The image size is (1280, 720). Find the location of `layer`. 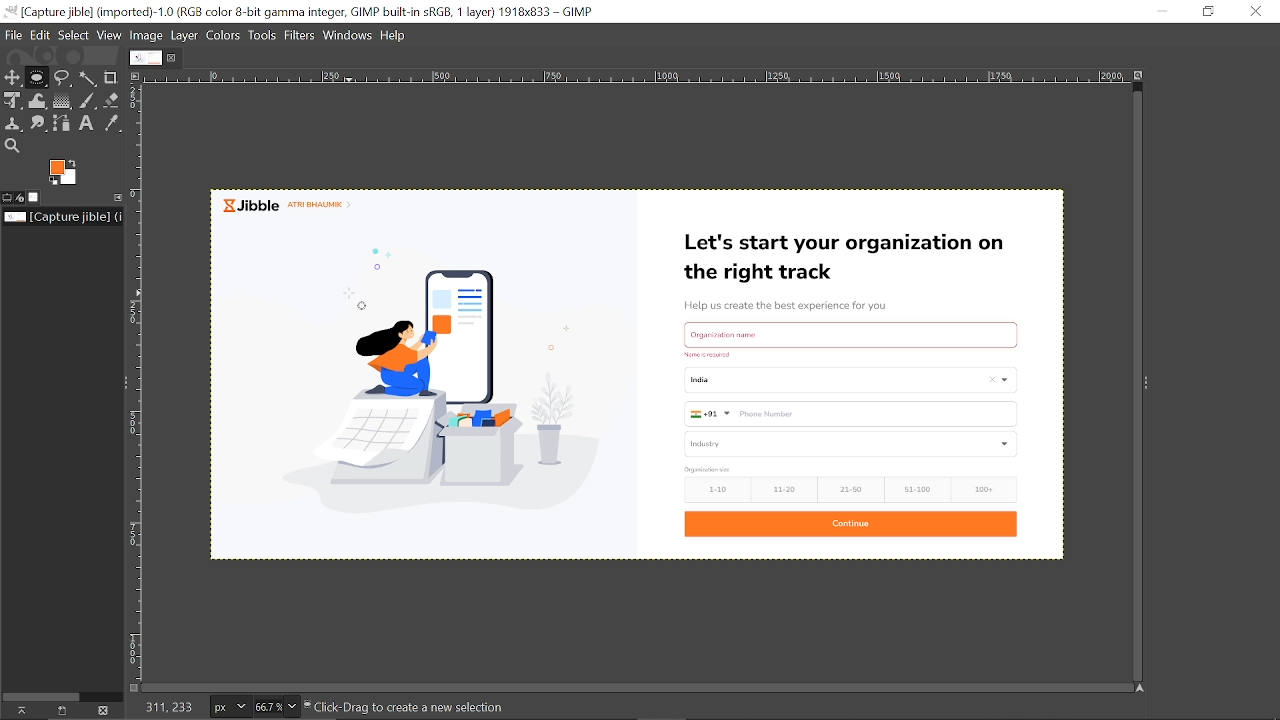

layer is located at coordinates (185, 34).